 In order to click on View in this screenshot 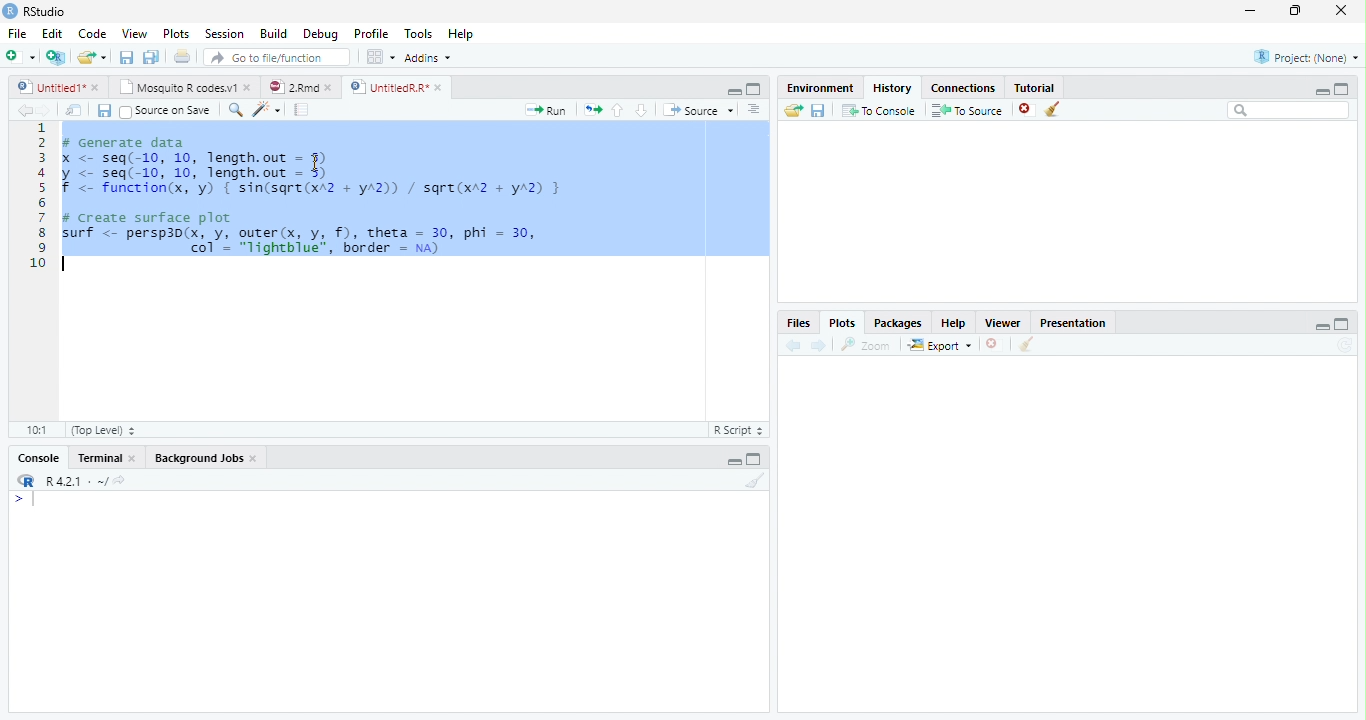, I will do `click(134, 33)`.